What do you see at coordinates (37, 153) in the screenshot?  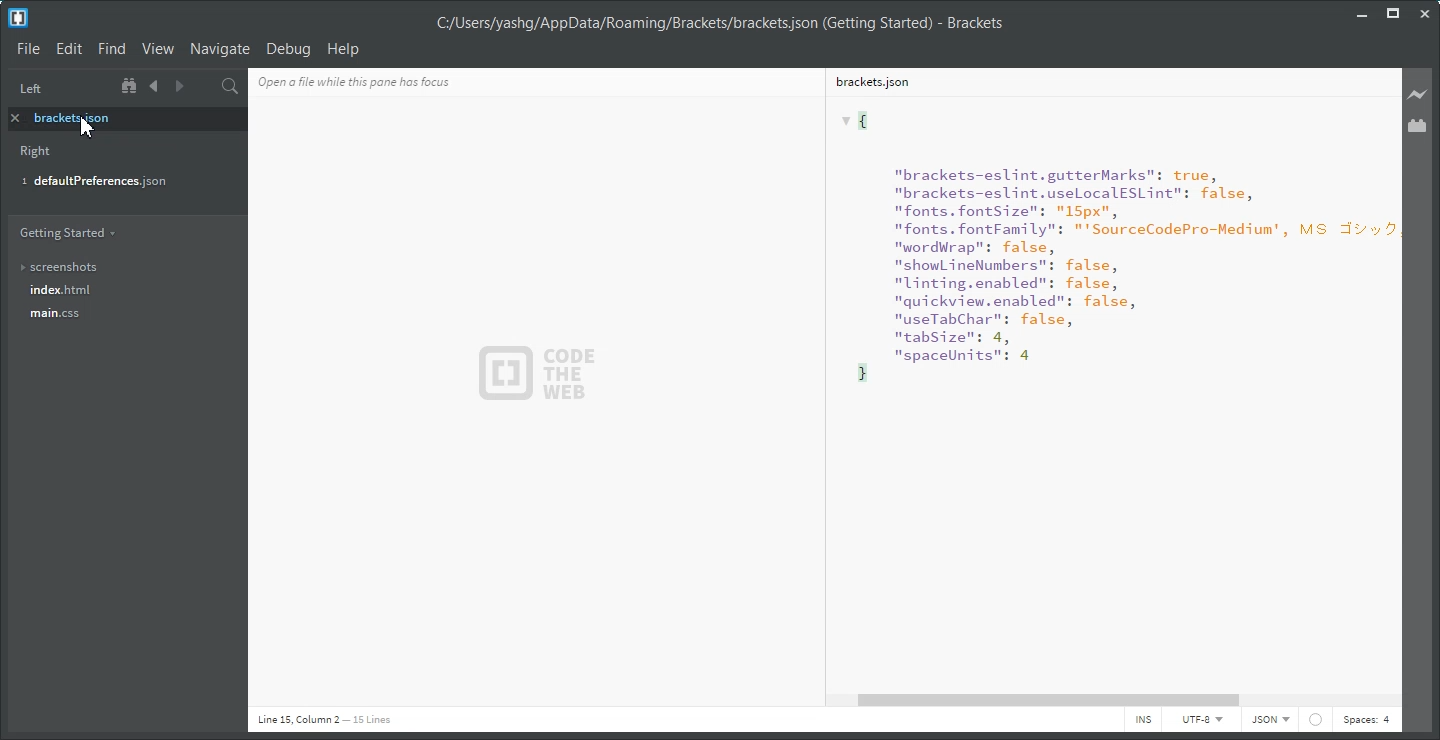 I see `Right Panel` at bounding box center [37, 153].